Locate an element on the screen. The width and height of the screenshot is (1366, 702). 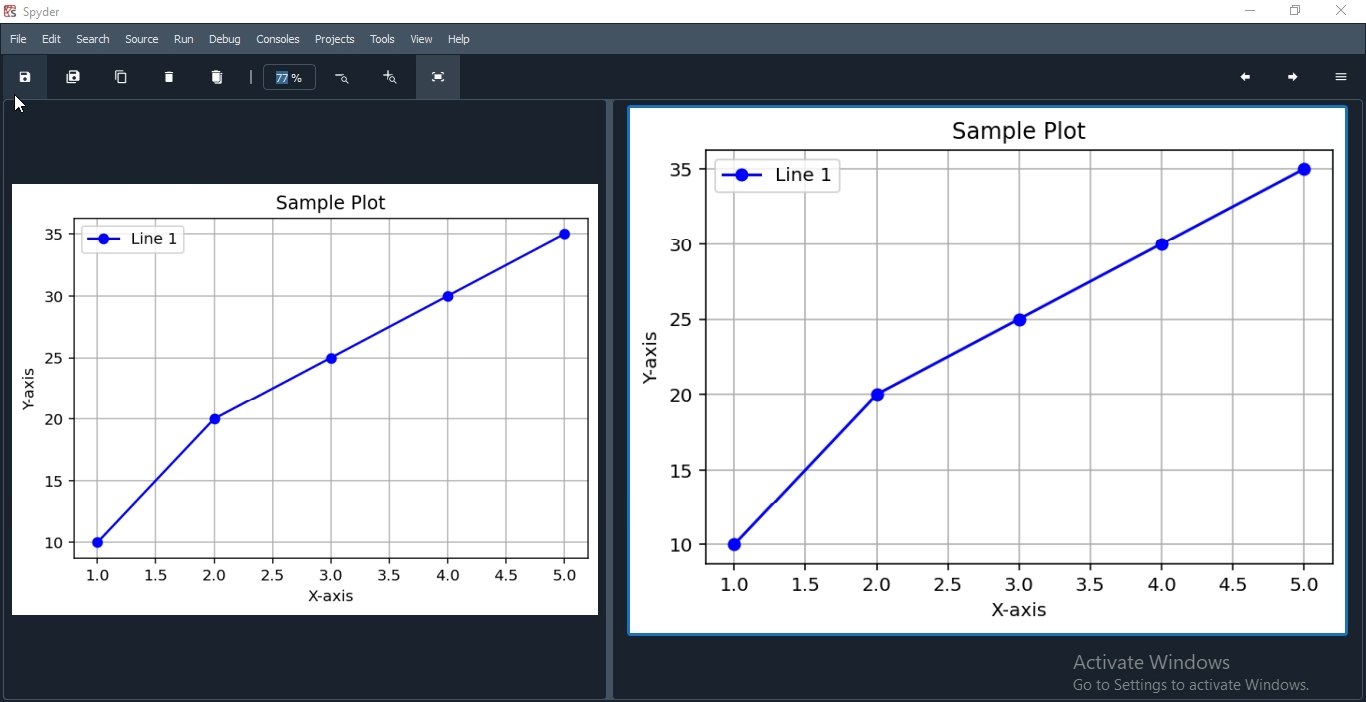
copy is located at coordinates (120, 77).